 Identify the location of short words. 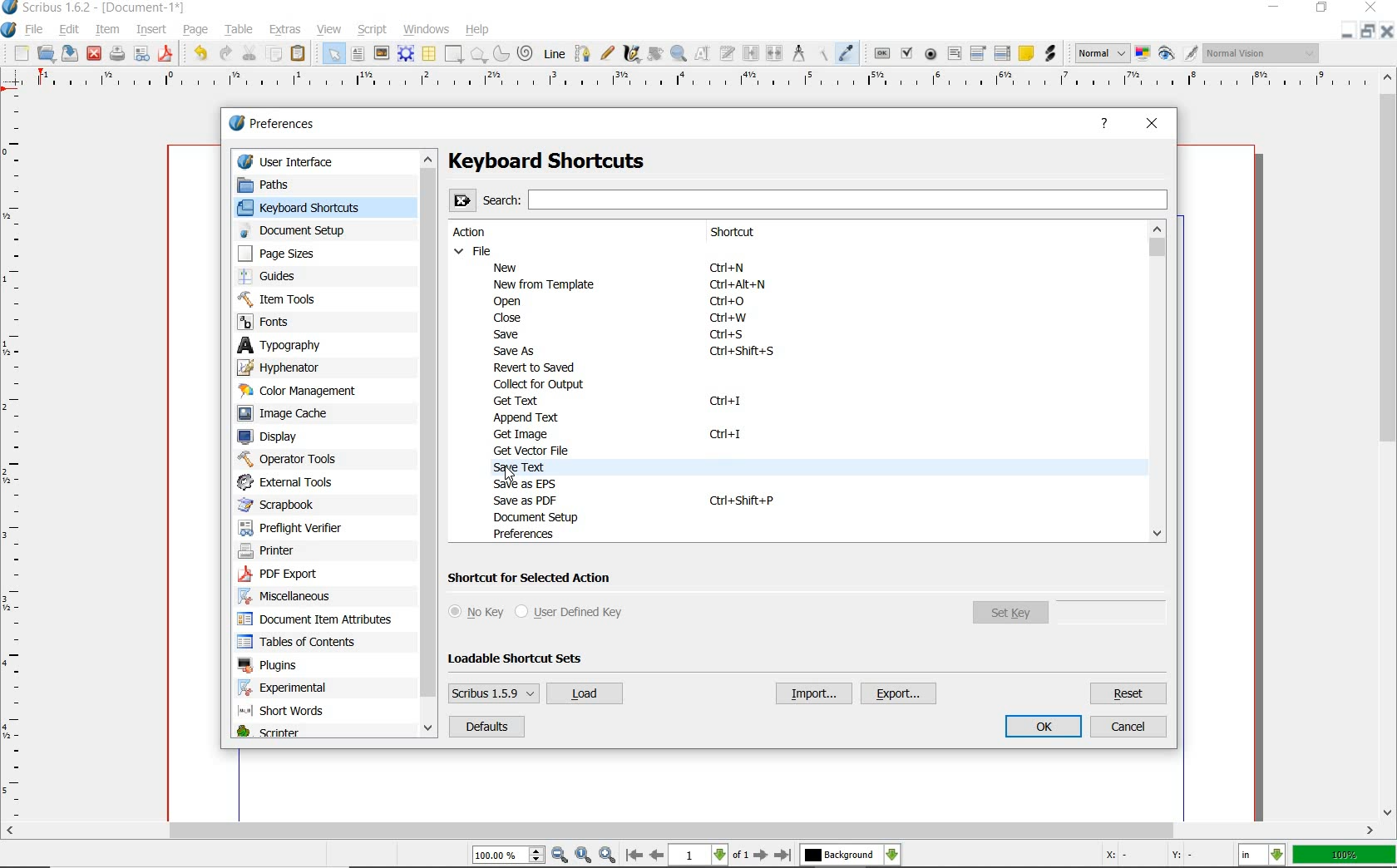
(286, 713).